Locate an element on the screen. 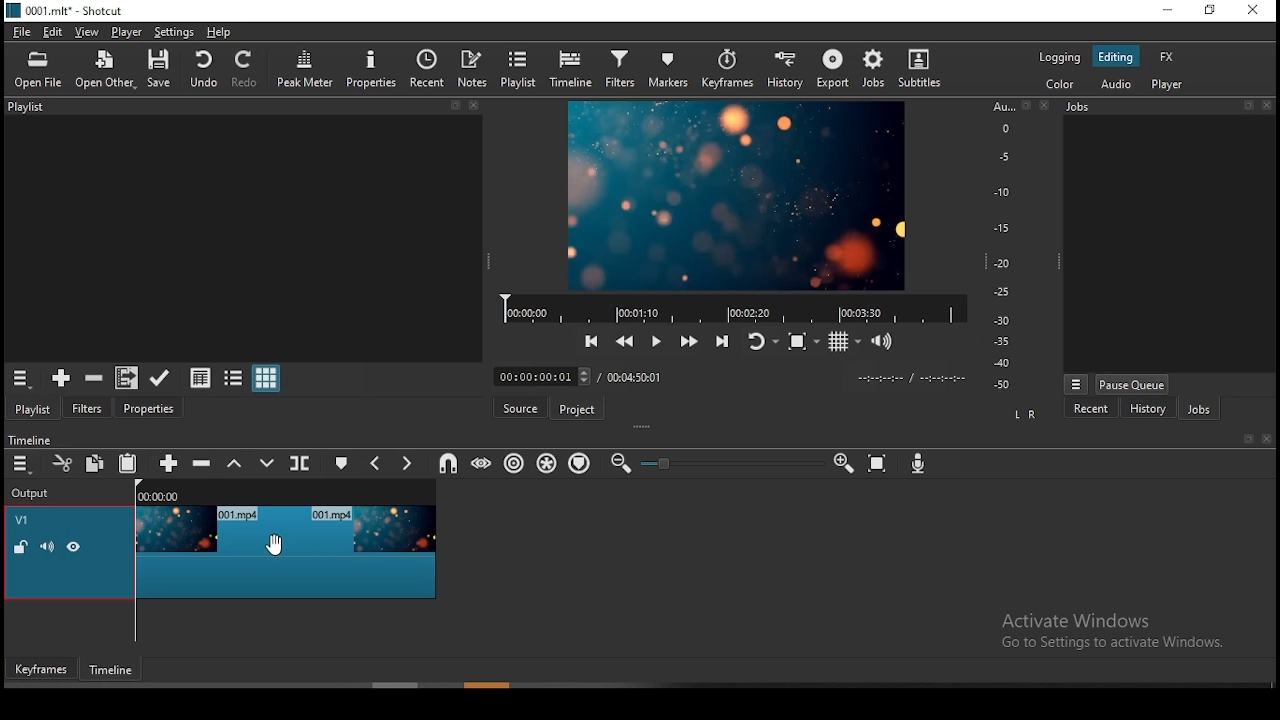 The width and height of the screenshot is (1280, 720). track duration is located at coordinates (635, 377).